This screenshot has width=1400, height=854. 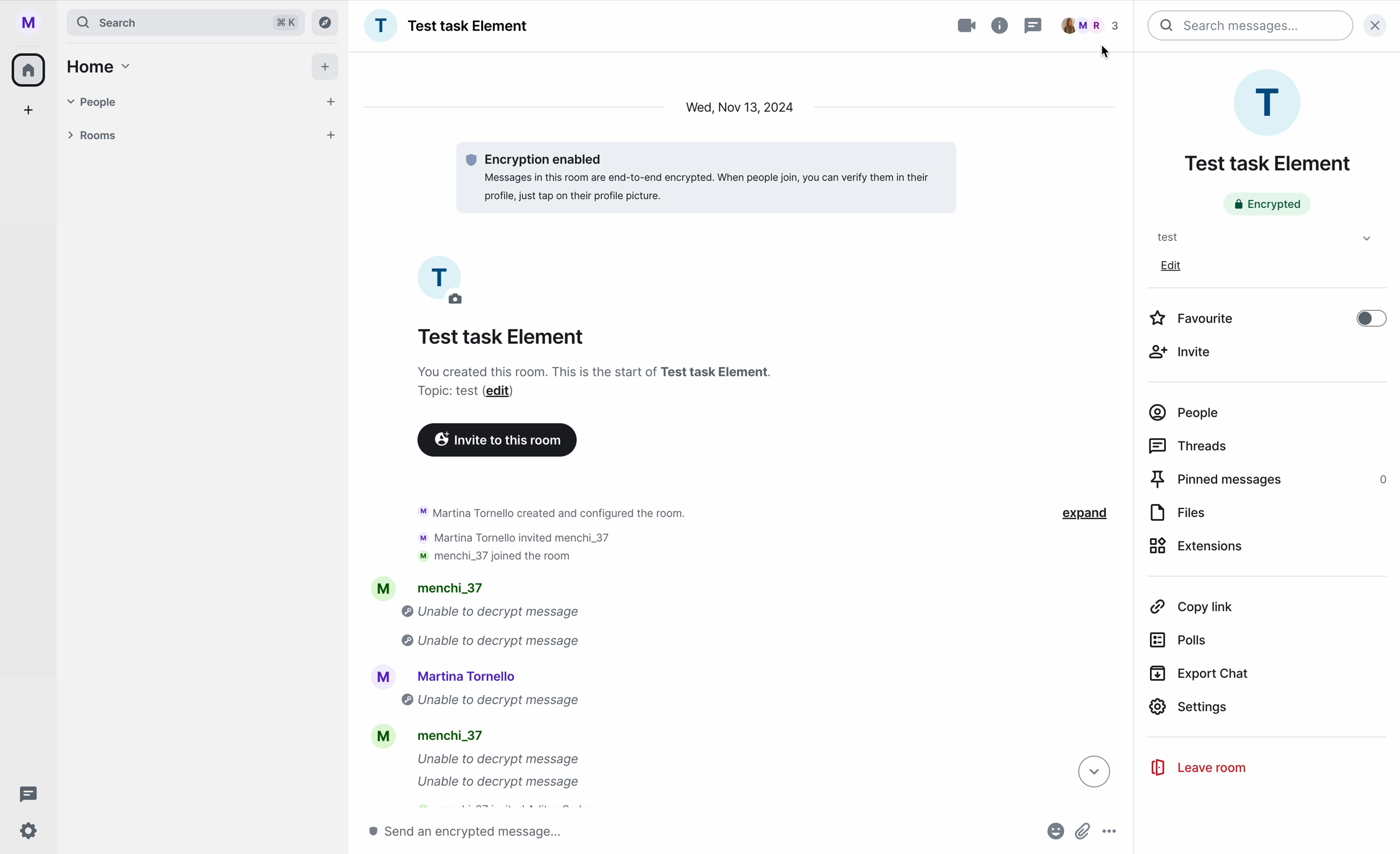 I want to click on send message, so click(x=472, y=832).